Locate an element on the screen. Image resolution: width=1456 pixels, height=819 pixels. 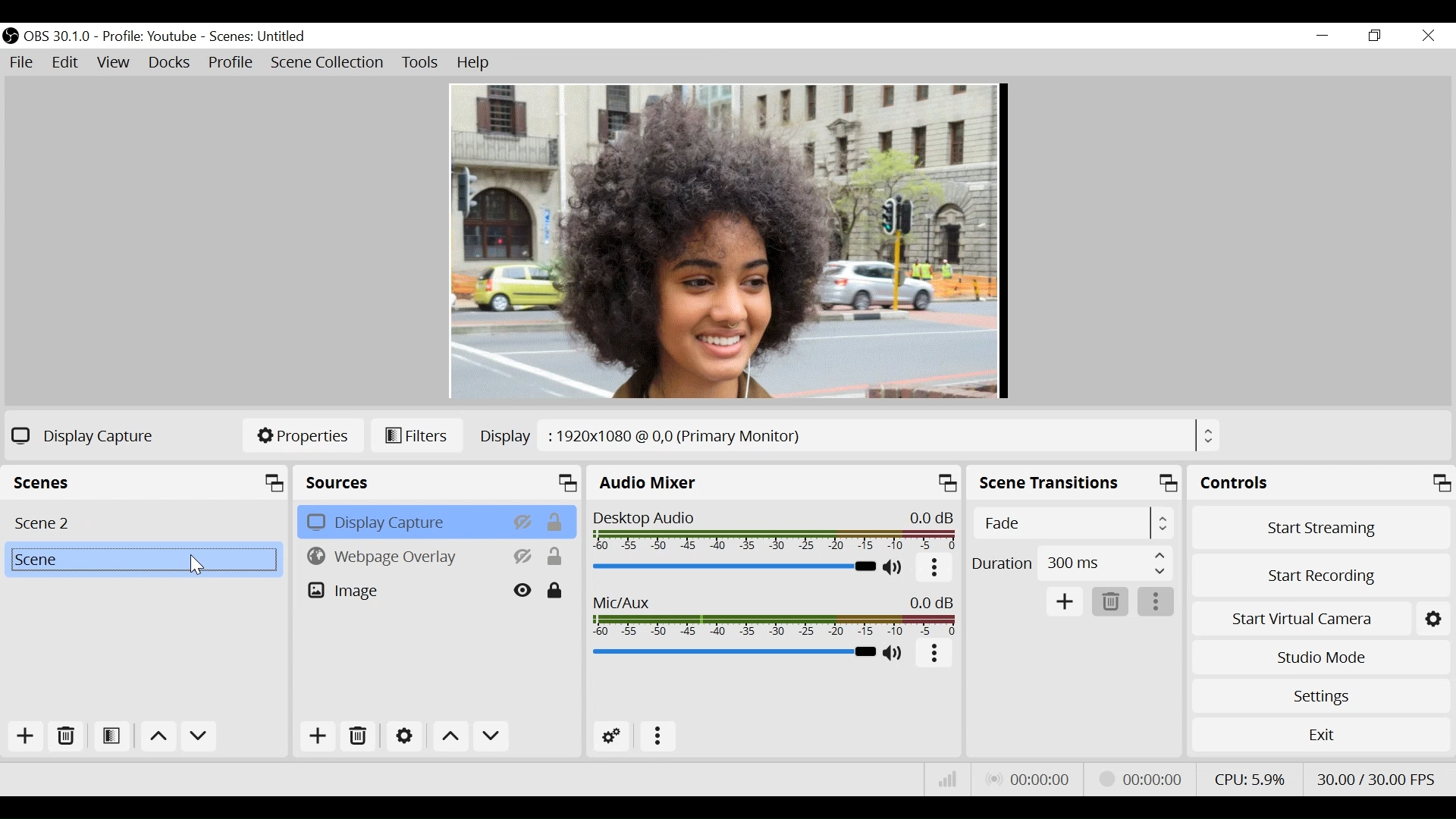
Sources is located at coordinates (439, 482).